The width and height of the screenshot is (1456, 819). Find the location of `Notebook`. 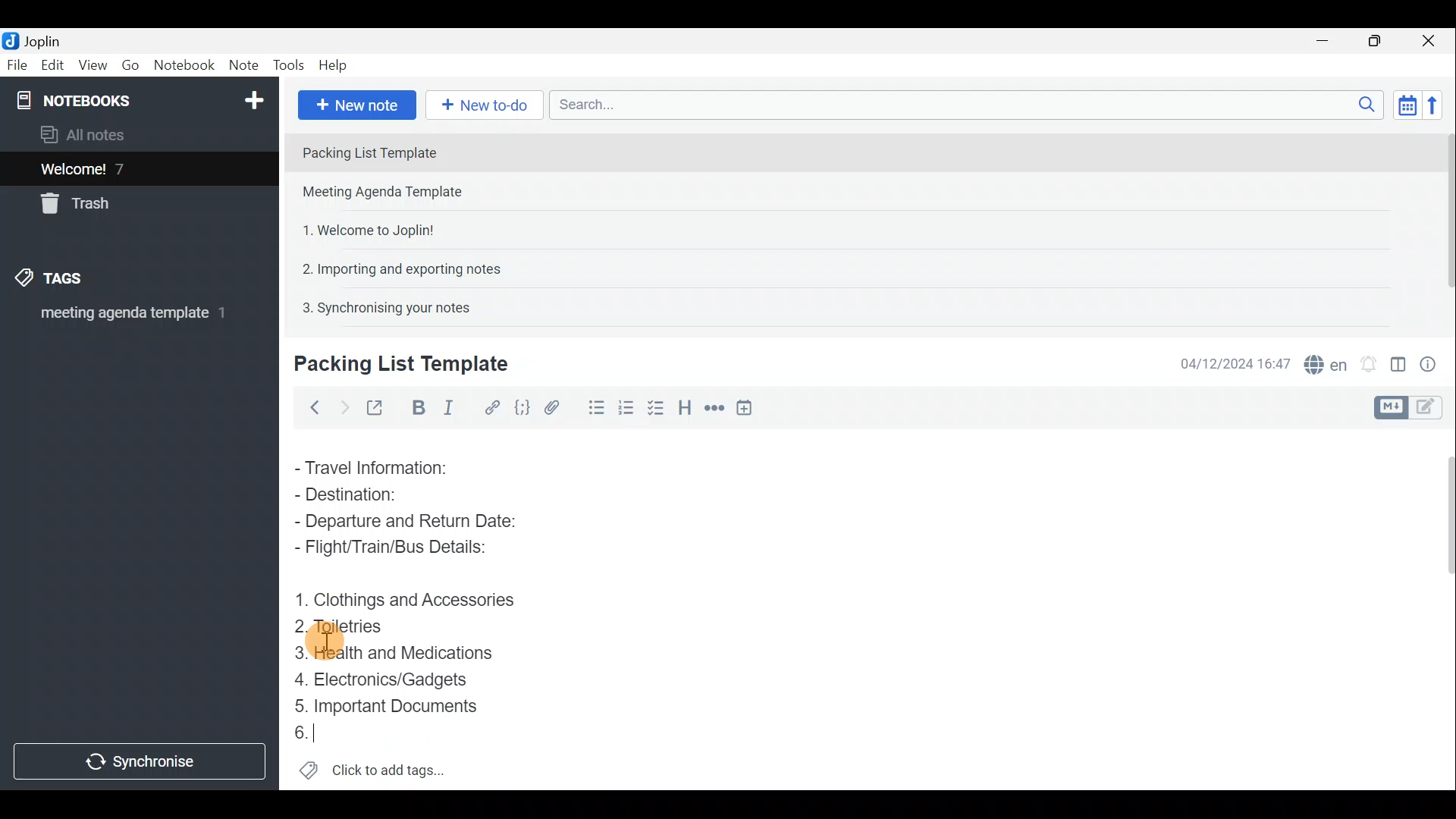

Notebook is located at coordinates (137, 99).